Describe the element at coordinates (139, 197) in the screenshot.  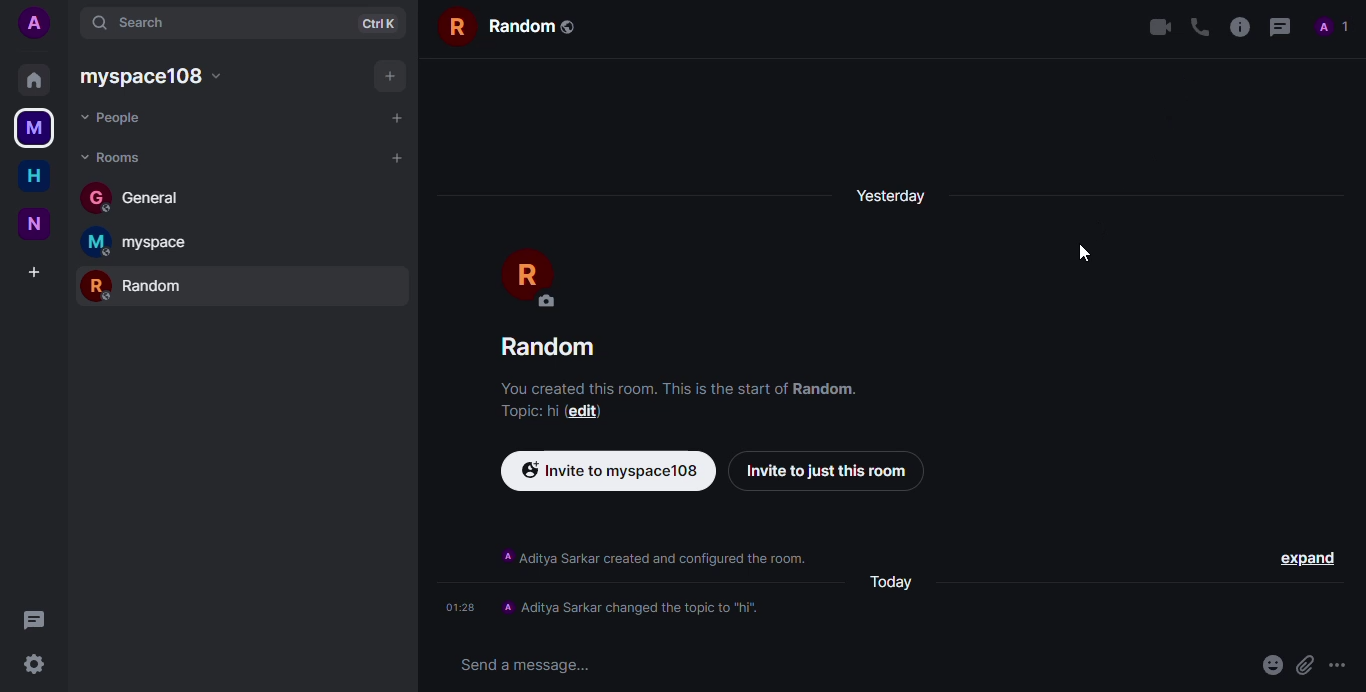
I see `general` at that location.